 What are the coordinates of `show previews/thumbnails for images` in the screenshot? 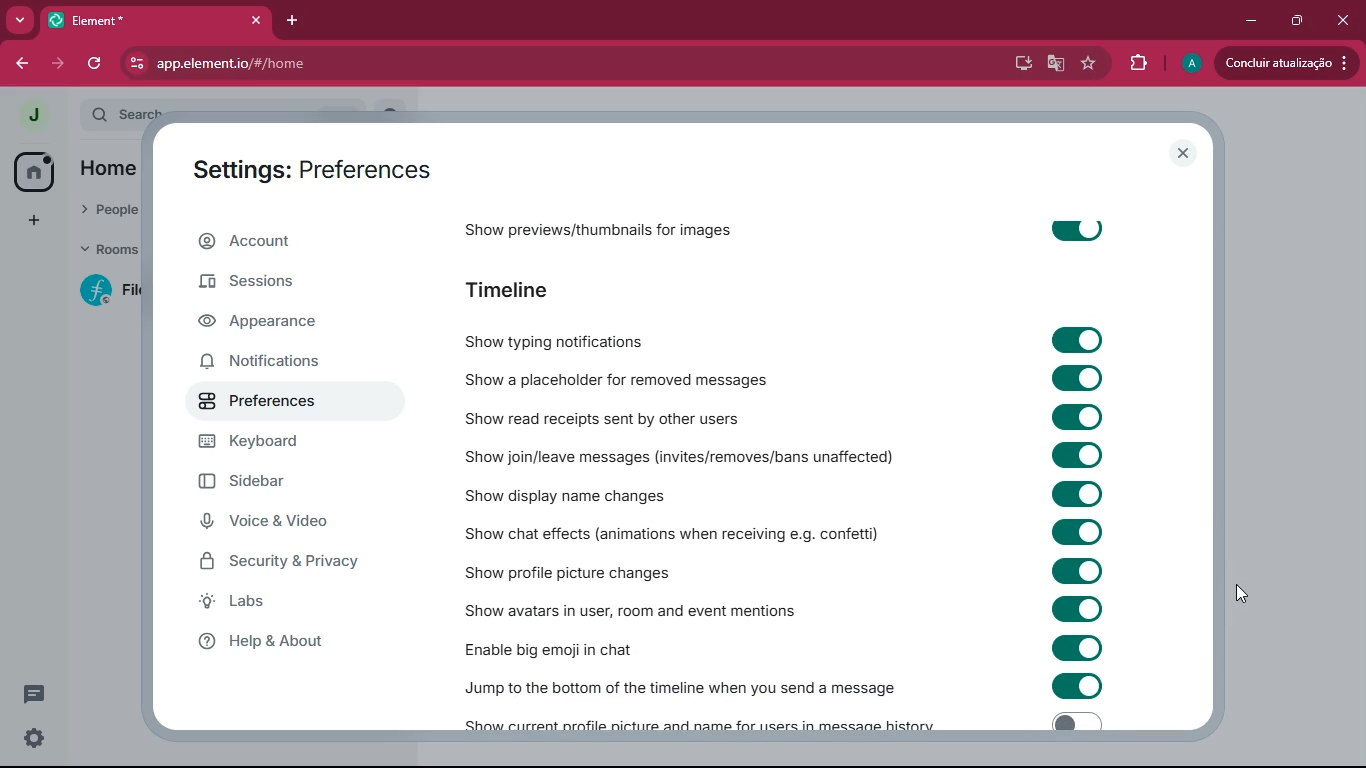 It's located at (621, 233).